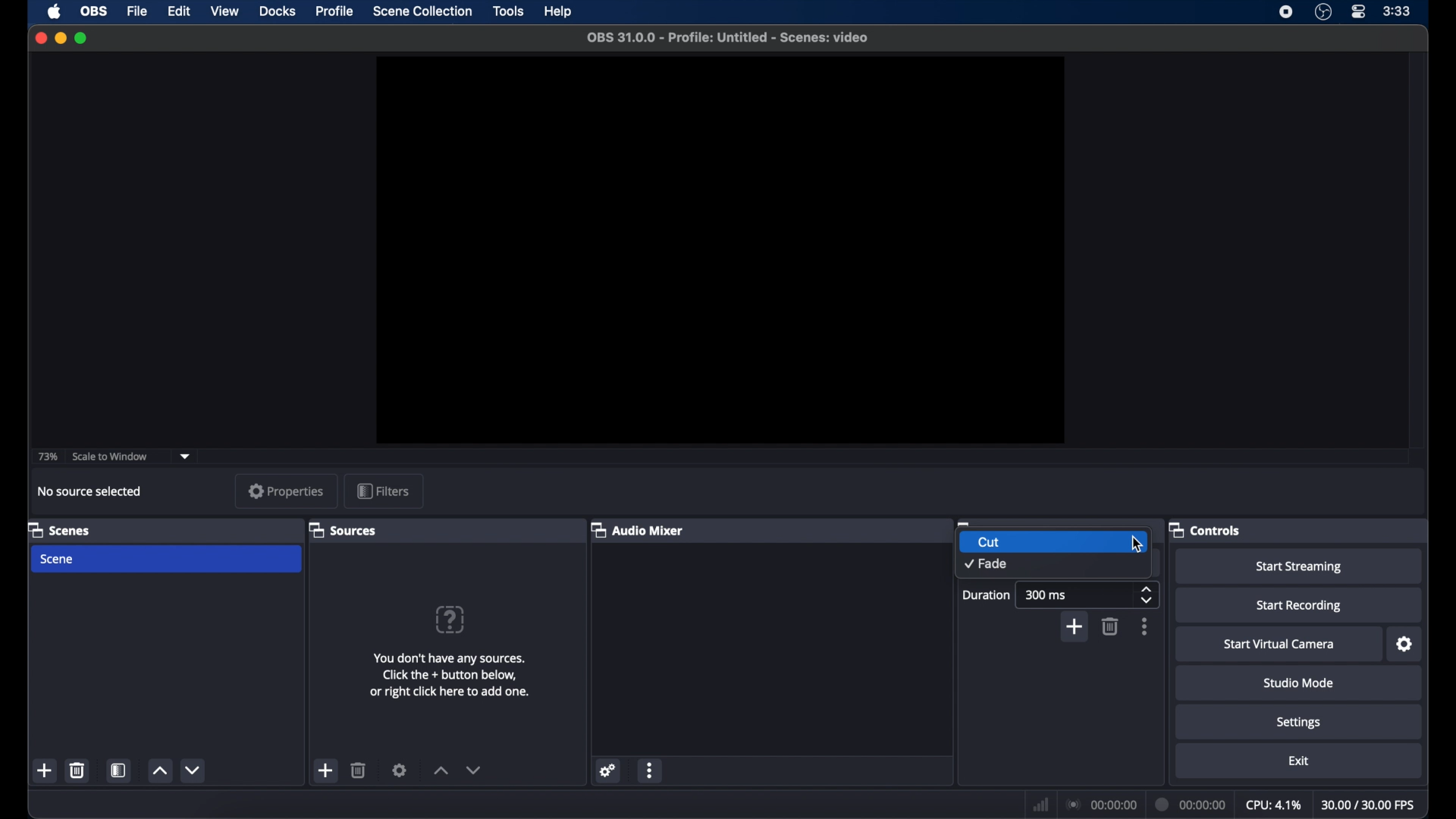  What do you see at coordinates (1300, 606) in the screenshot?
I see `start recording` at bounding box center [1300, 606].